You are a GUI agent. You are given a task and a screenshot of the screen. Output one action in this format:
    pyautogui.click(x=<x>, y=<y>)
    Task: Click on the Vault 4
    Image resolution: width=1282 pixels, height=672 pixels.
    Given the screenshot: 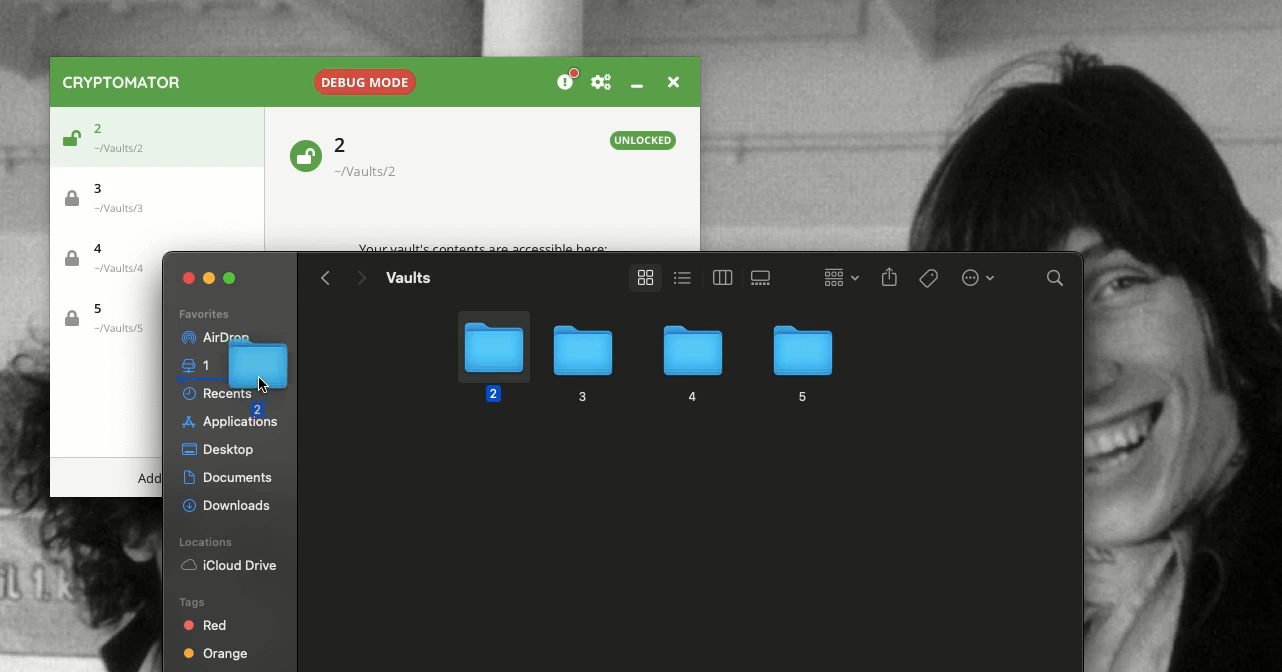 What is the action you would take?
    pyautogui.click(x=112, y=261)
    